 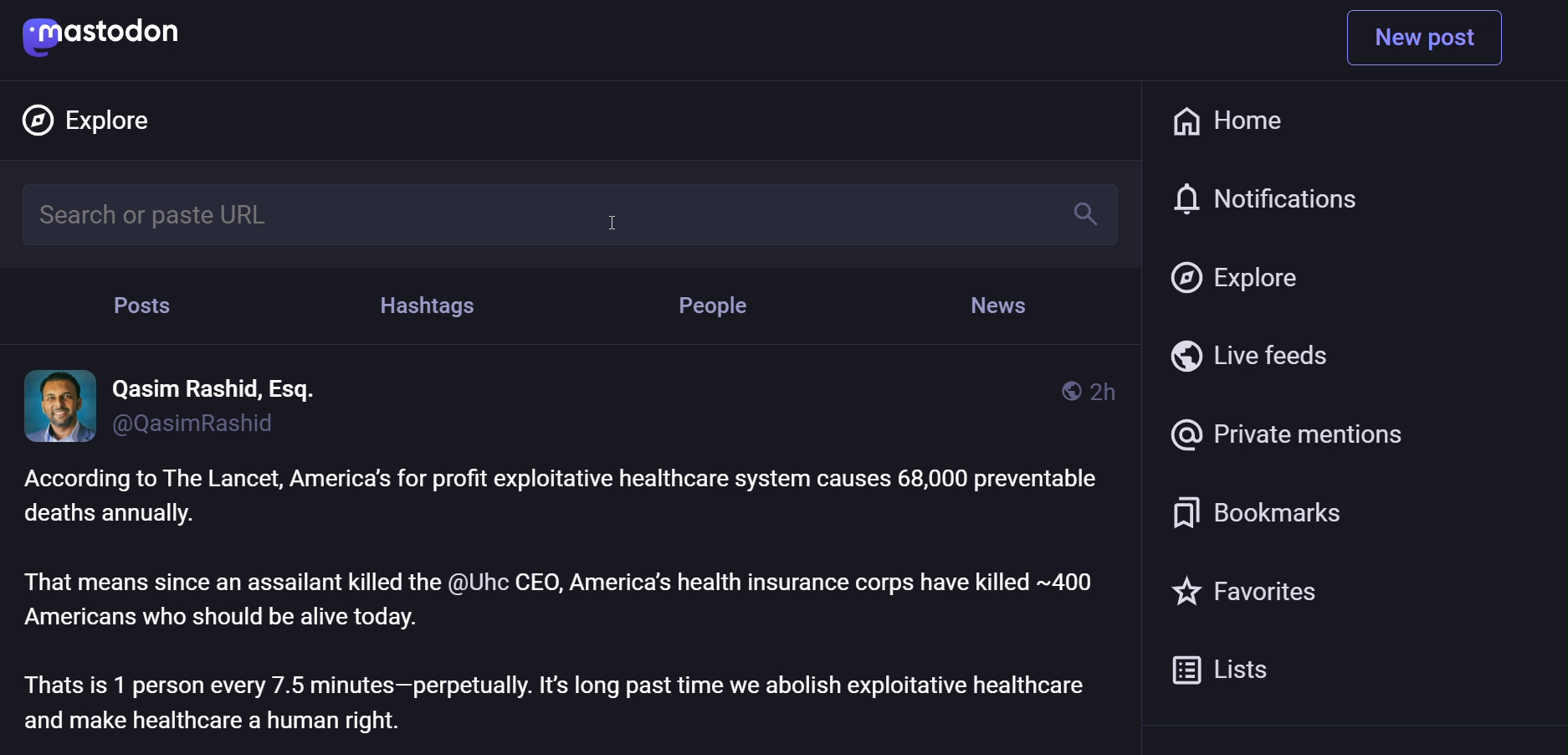 I want to click on new post, so click(x=1426, y=38).